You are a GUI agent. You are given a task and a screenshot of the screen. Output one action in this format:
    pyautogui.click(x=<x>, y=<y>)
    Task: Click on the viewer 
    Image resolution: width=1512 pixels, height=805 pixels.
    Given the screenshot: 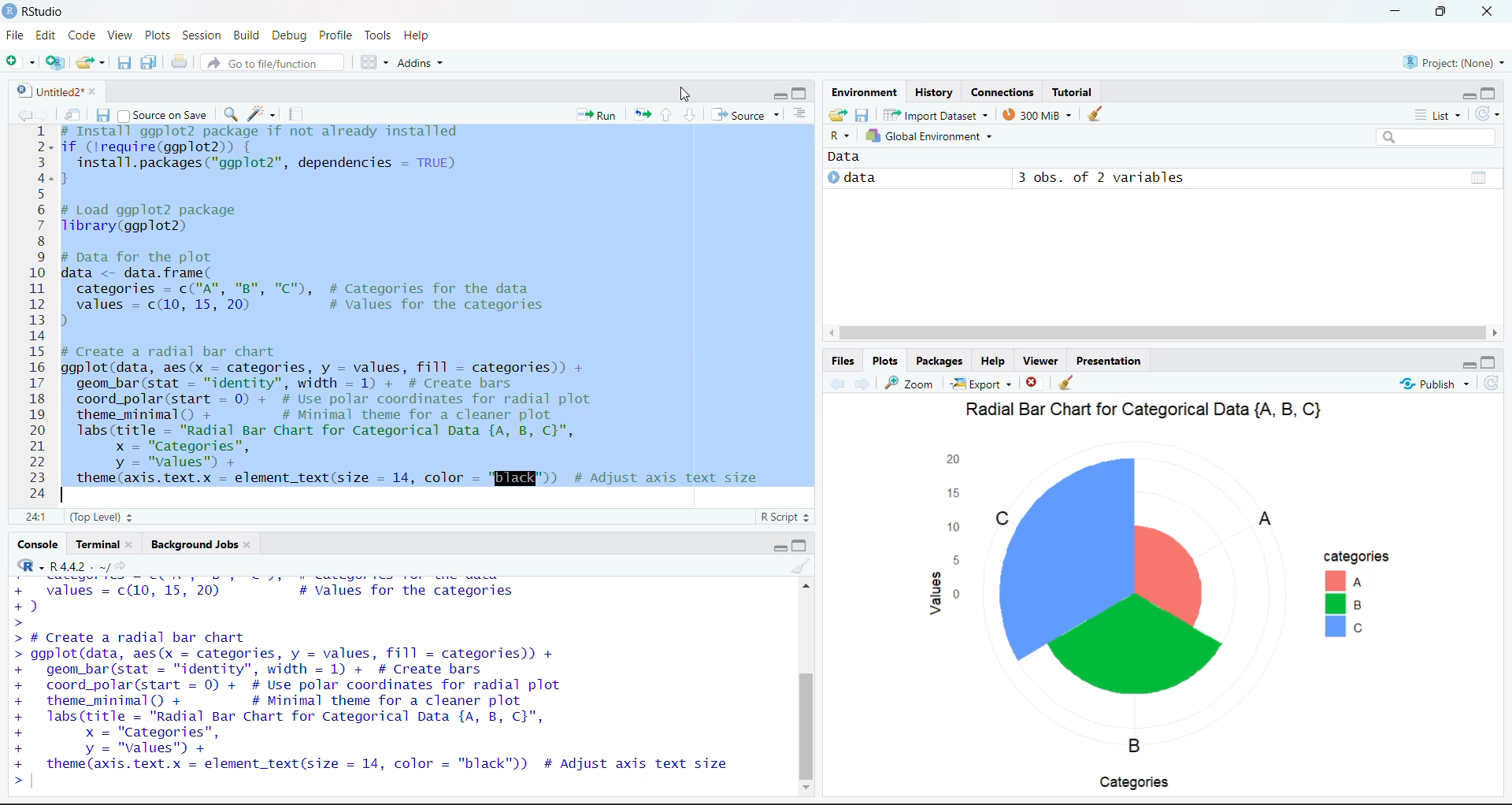 What is the action you would take?
    pyautogui.click(x=1043, y=359)
    